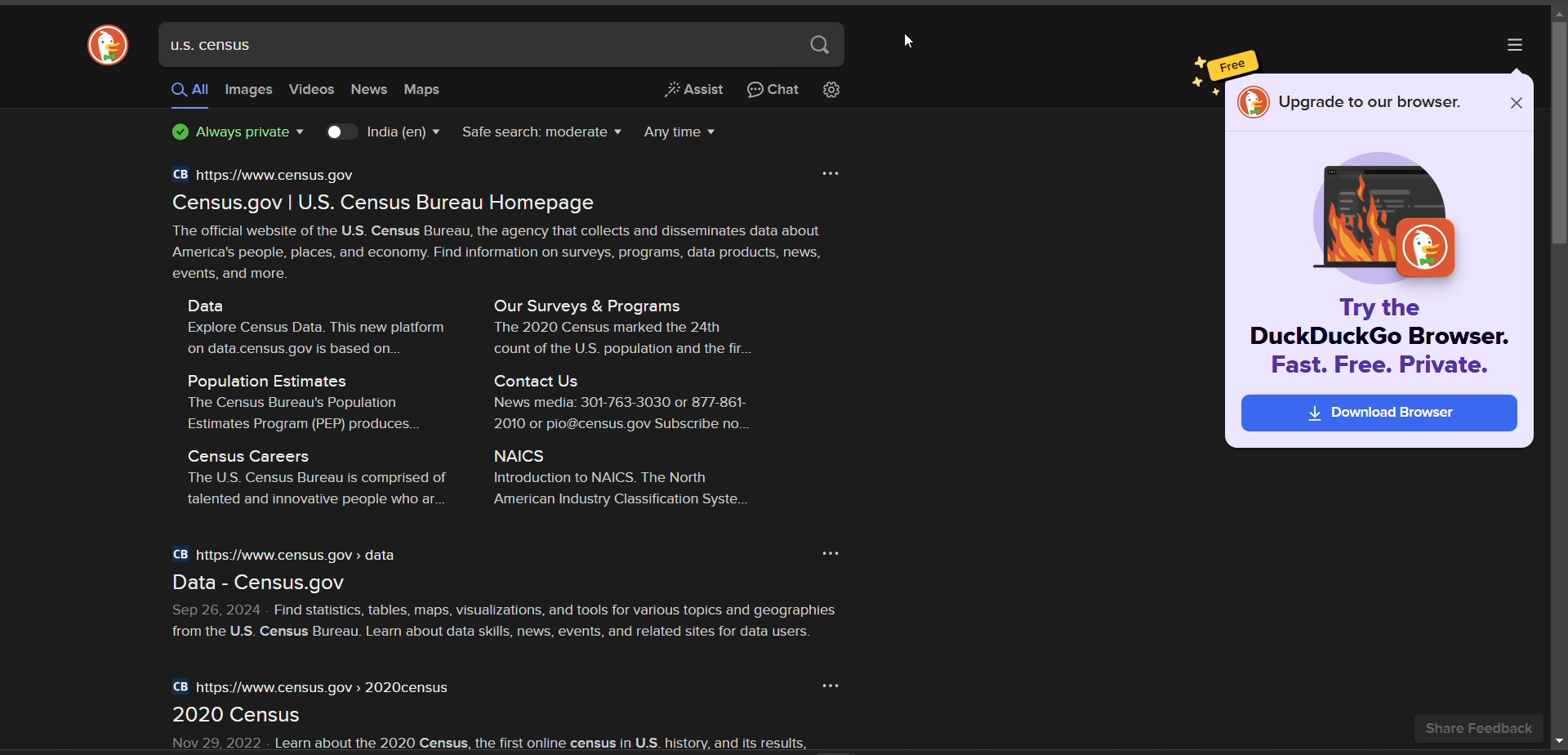  Describe the element at coordinates (432, 89) in the screenshot. I see `maps` at that location.